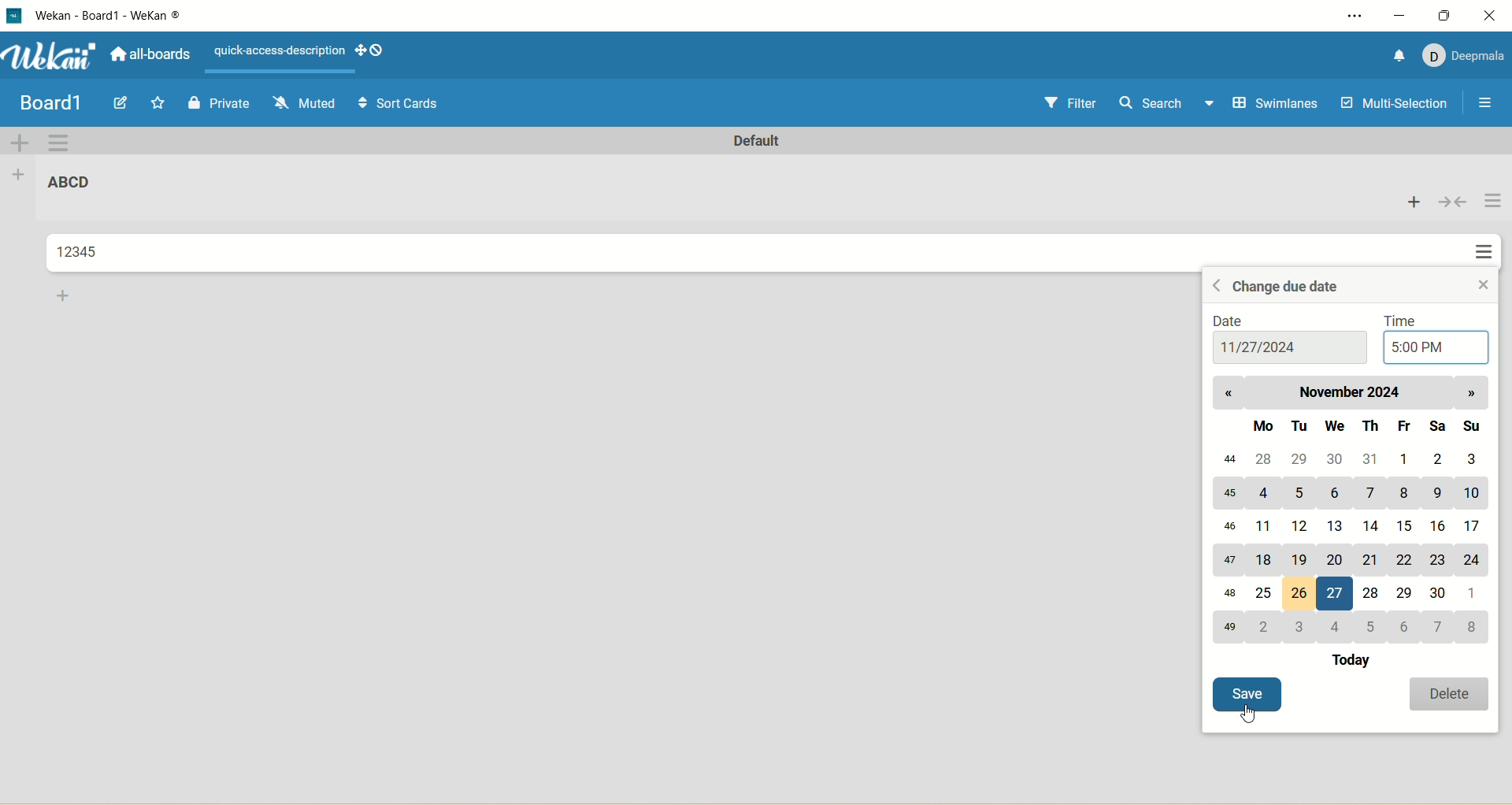 The height and width of the screenshot is (805, 1512). What do you see at coordinates (59, 143) in the screenshot?
I see `swimlane action` at bounding box center [59, 143].